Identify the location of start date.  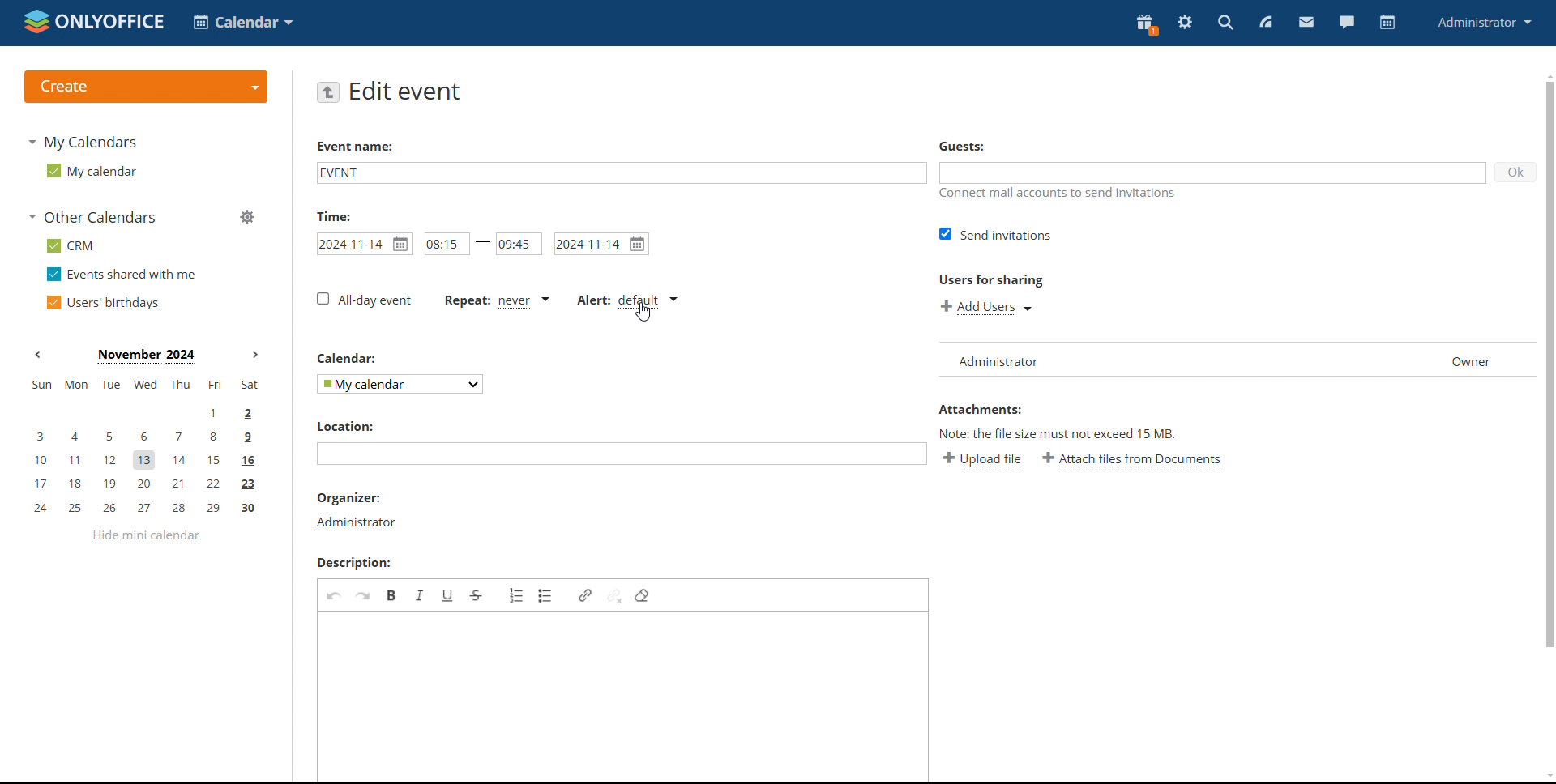
(363, 244).